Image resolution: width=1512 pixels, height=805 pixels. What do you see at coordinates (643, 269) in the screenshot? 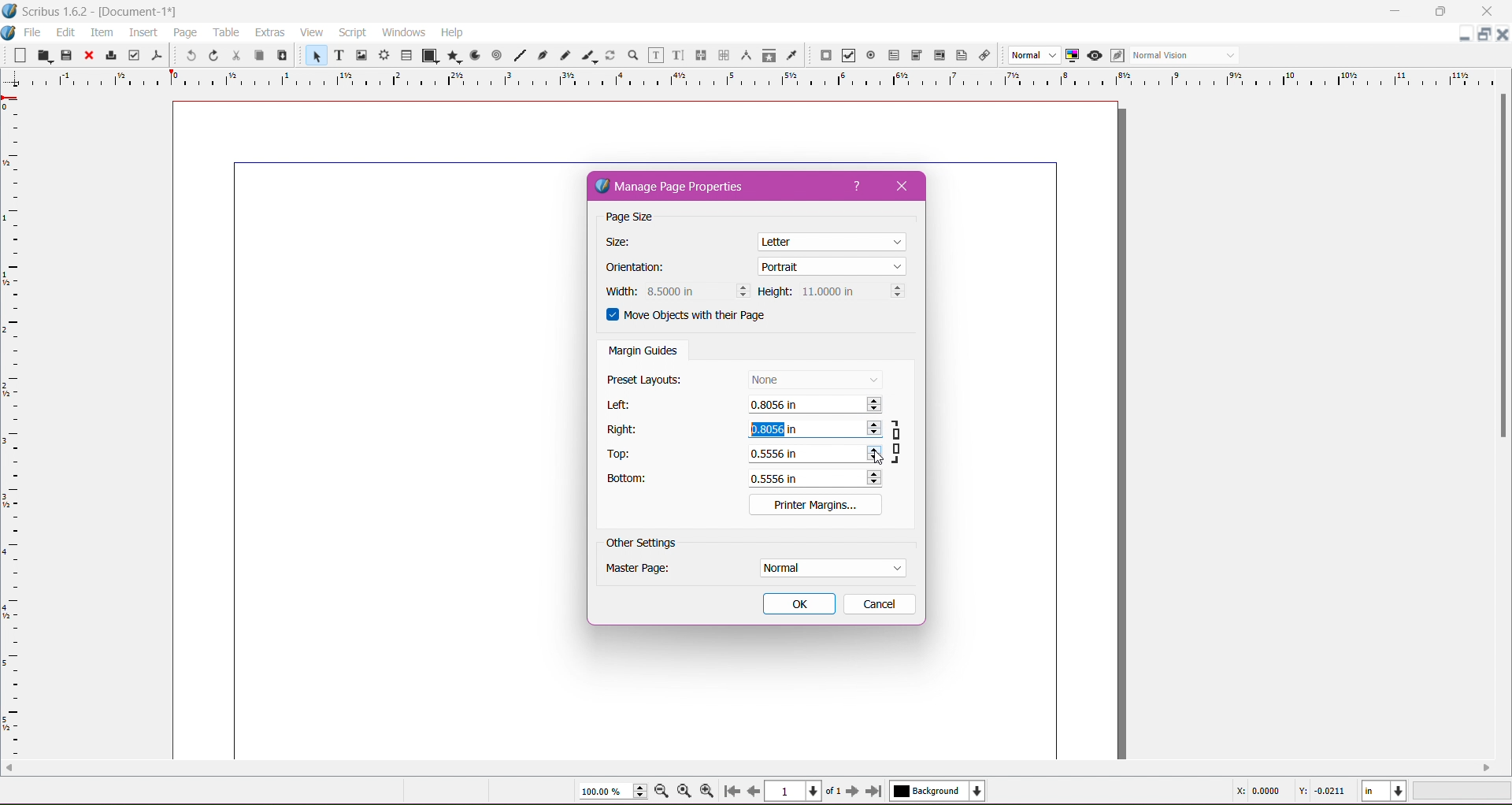
I see `Orientation` at bounding box center [643, 269].